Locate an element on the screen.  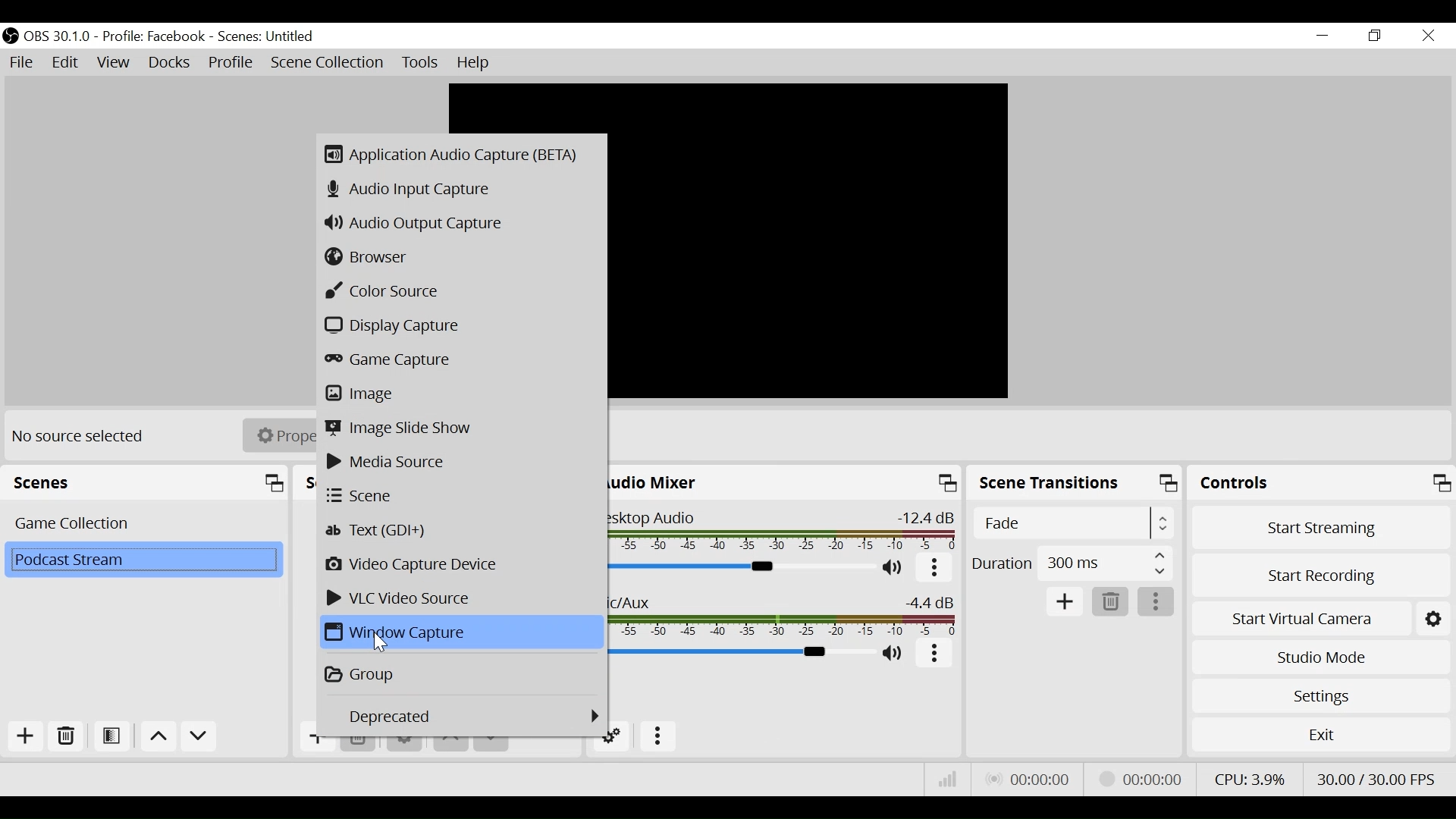
VLC Video Source is located at coordinates (461, 598).